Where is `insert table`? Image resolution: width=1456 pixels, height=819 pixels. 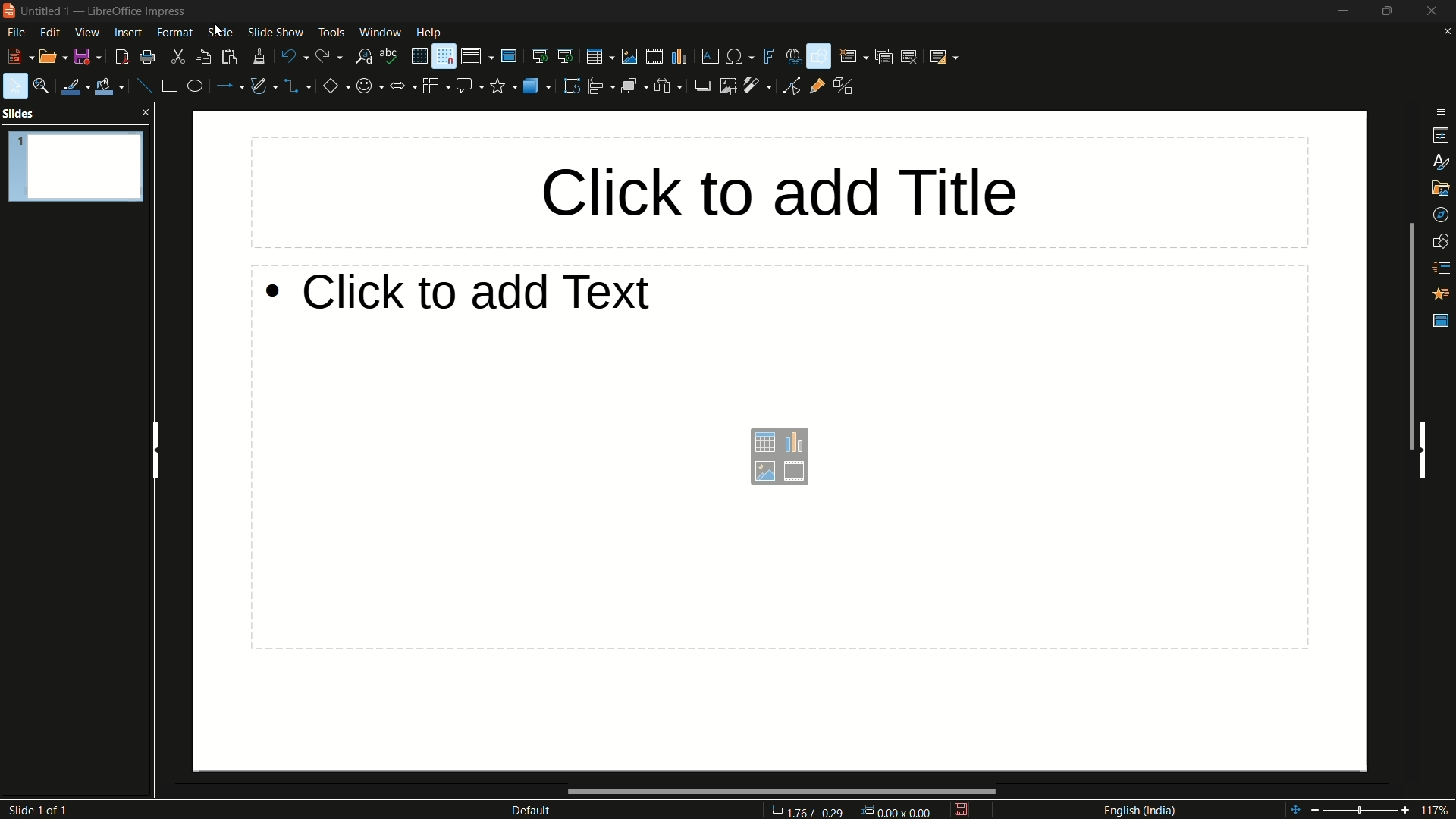
insert table is located at coordinates (765, 443).